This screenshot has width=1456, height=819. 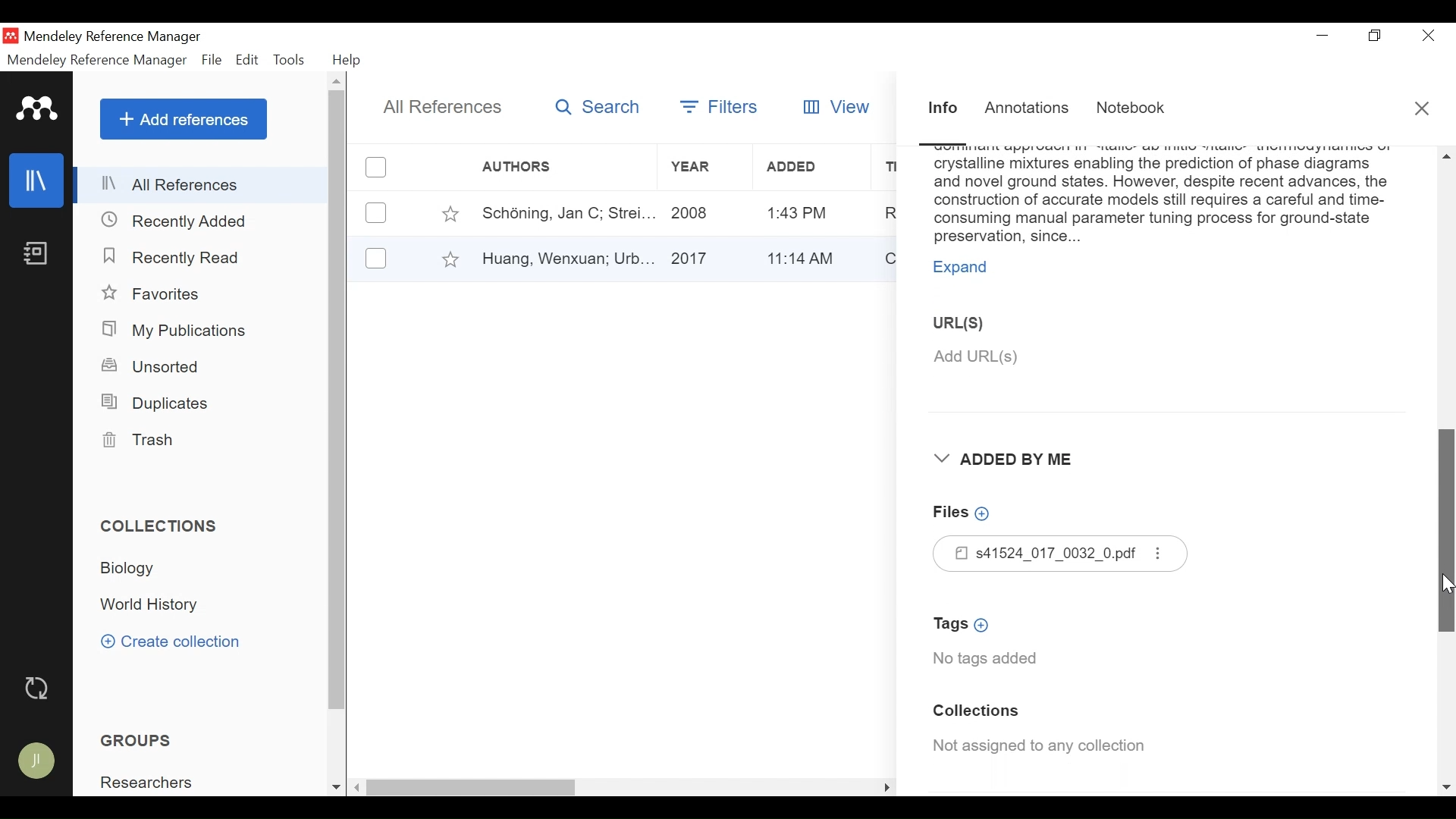 I want to click on Favorites, so click(x=156, y=294).